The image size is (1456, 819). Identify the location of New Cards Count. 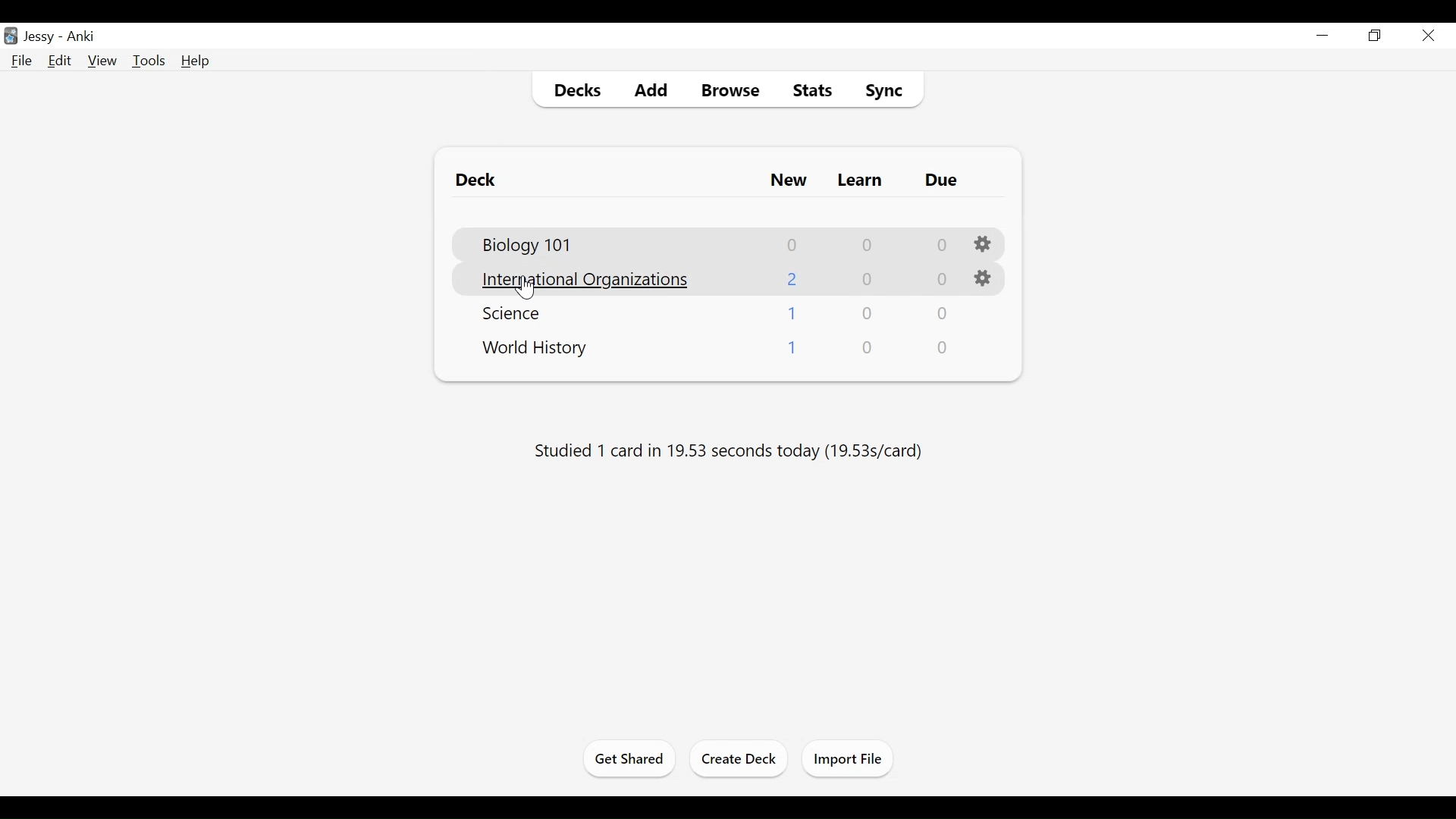
(793, 244).